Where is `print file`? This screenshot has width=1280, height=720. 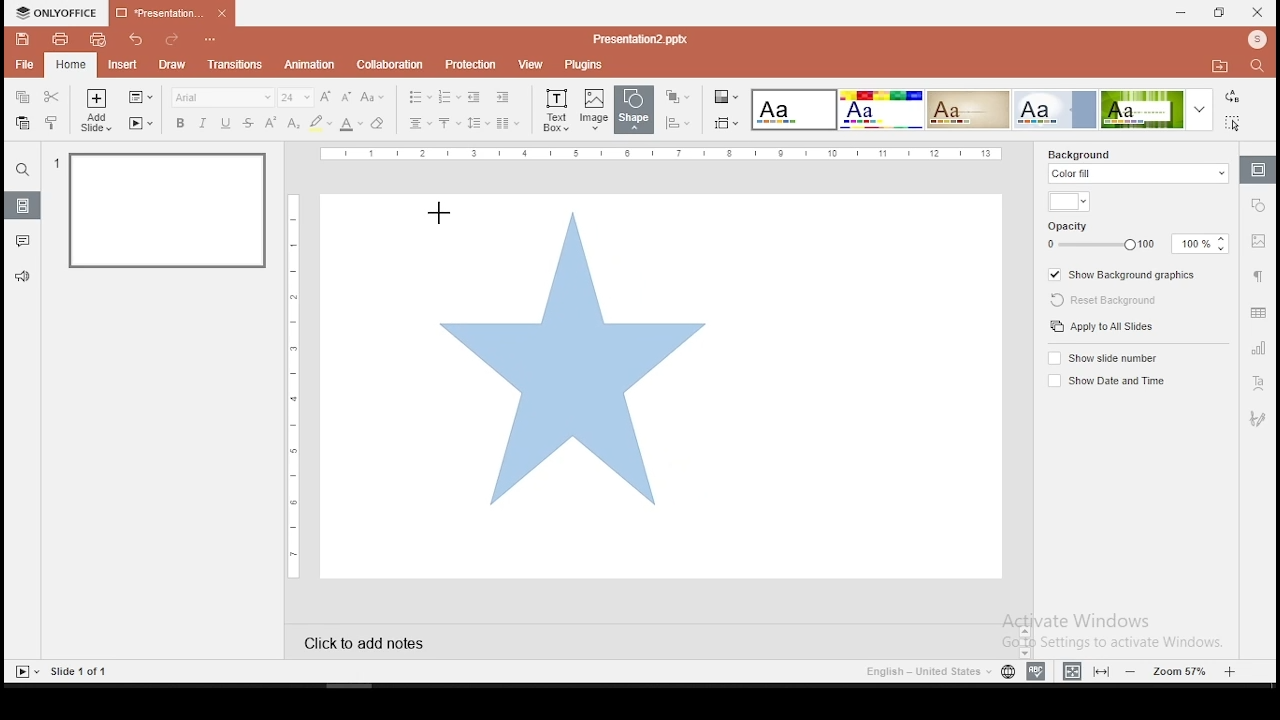
print file is located at coordinates (58, 39).